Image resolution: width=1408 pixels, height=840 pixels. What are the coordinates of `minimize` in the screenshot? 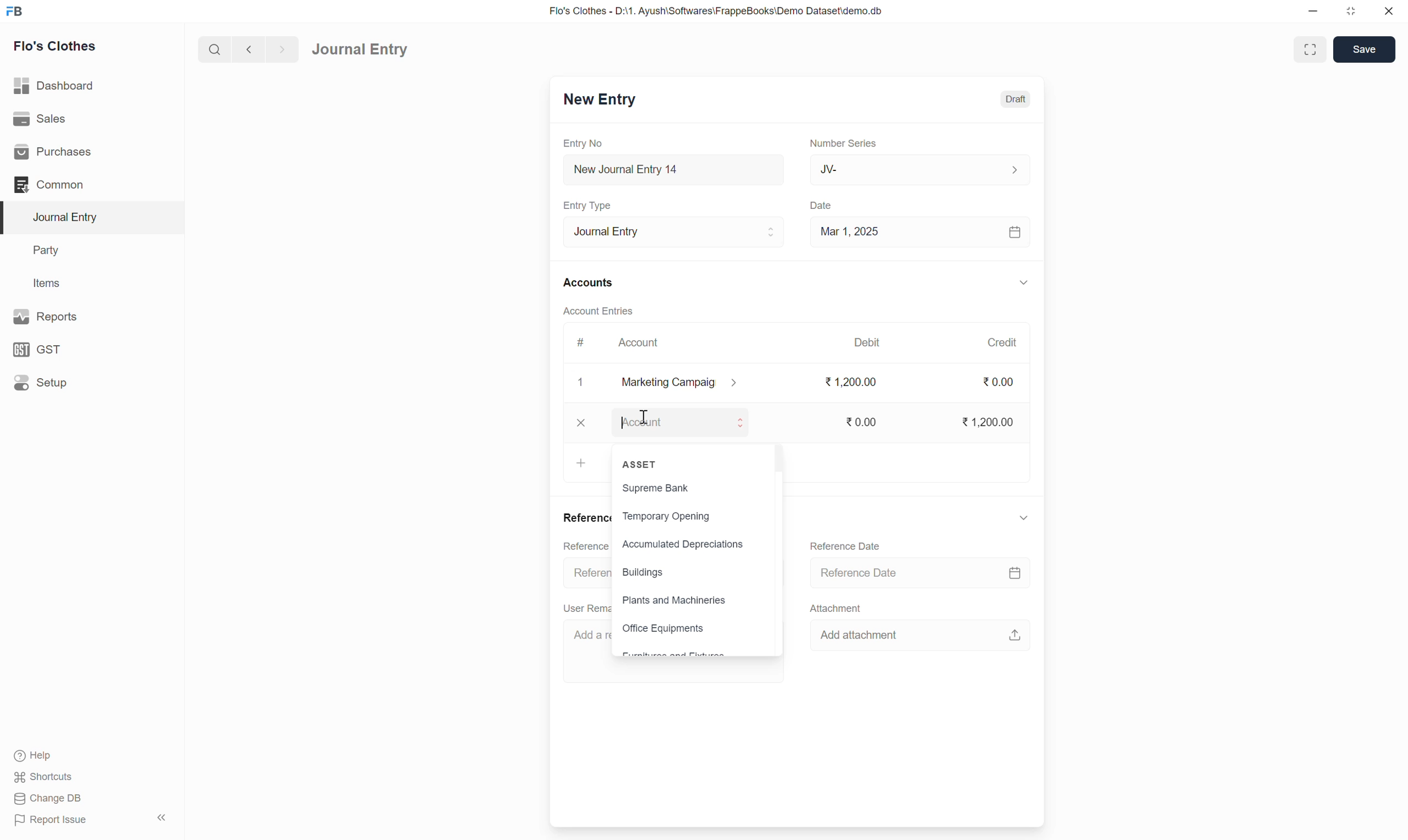 It's located at (1313, 12).